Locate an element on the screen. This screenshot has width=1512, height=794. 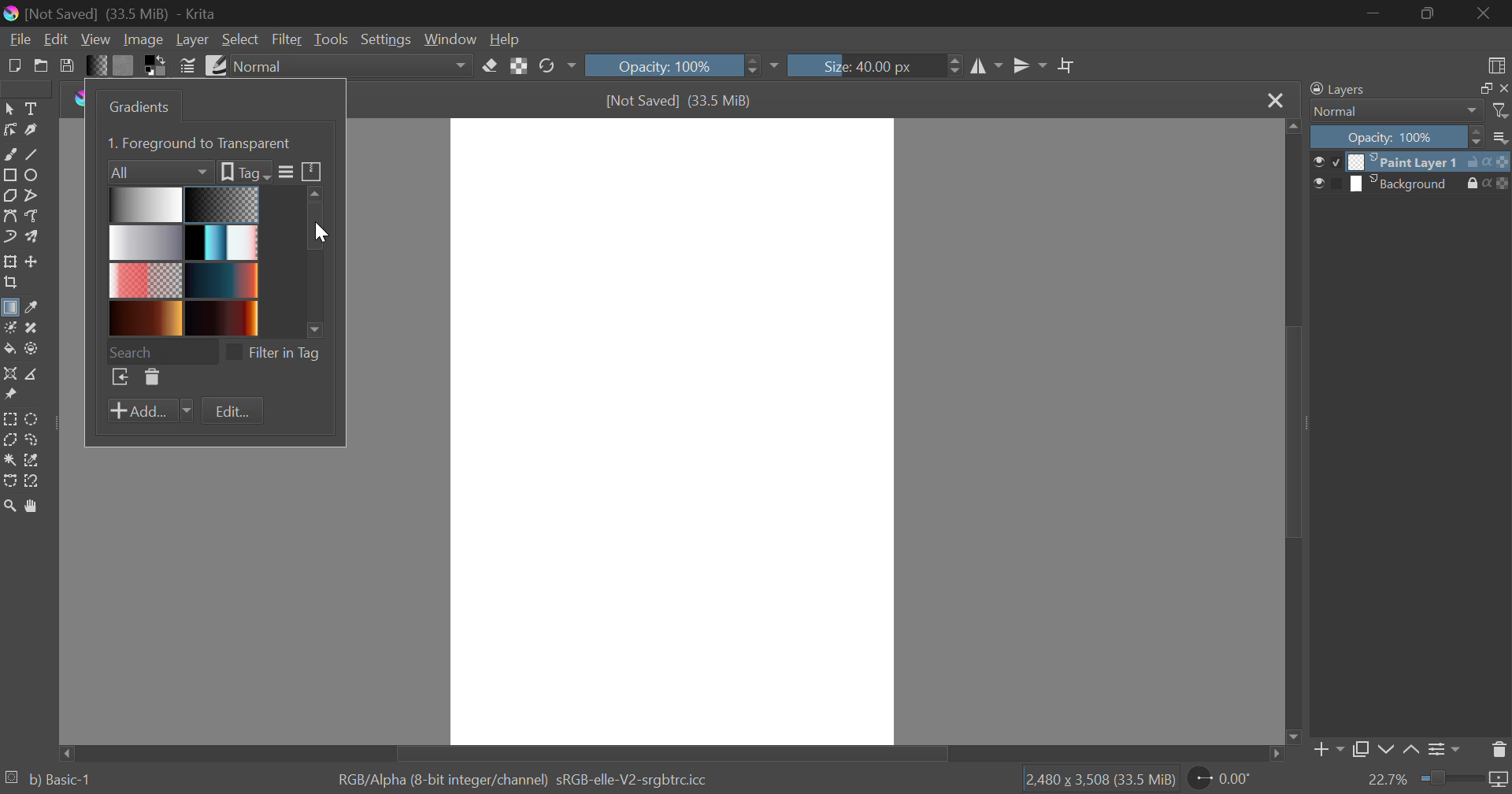
preview is located at coordinates (1328, 162).